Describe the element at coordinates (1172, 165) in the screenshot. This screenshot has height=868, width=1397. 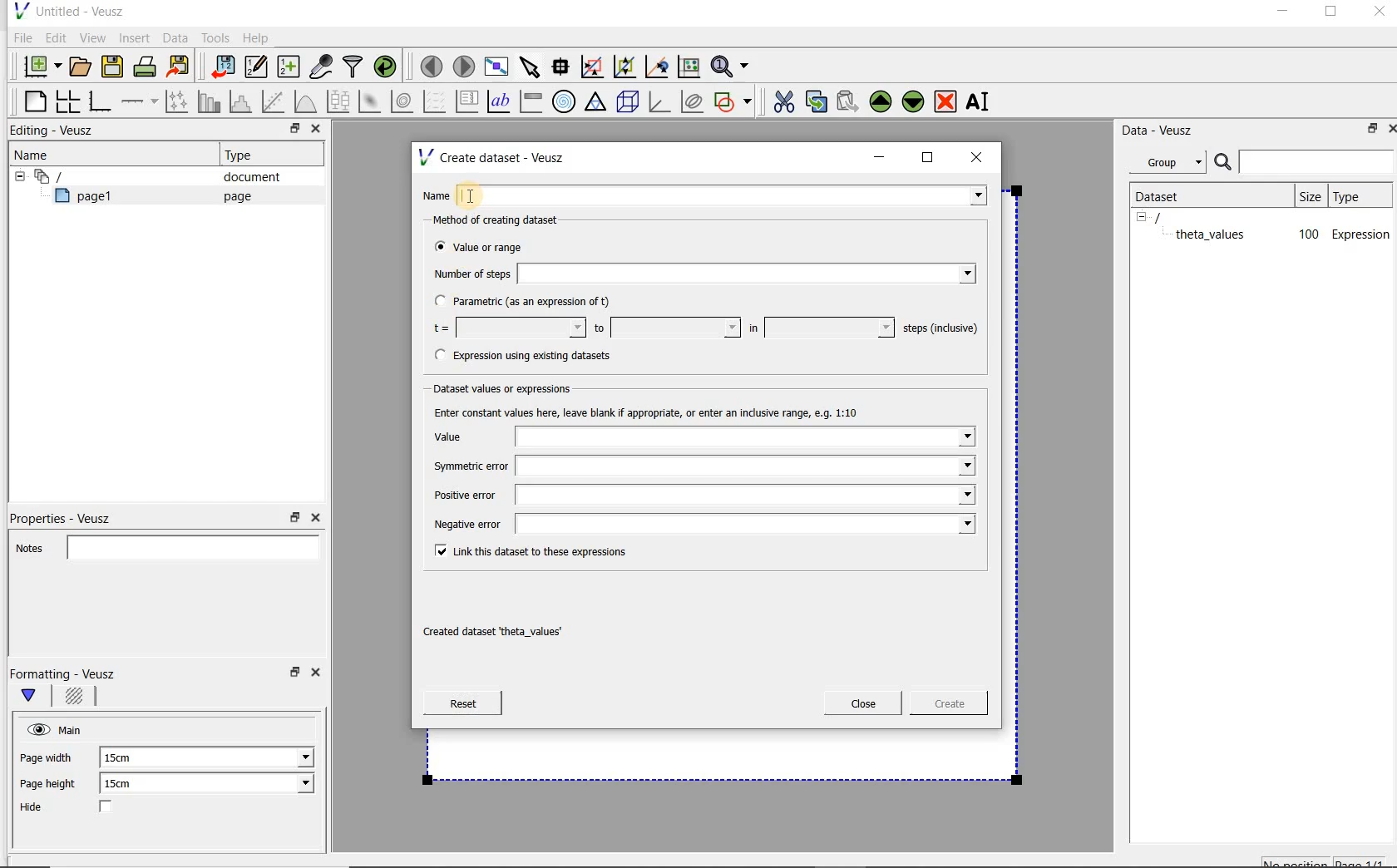
I see `Group` at that location.